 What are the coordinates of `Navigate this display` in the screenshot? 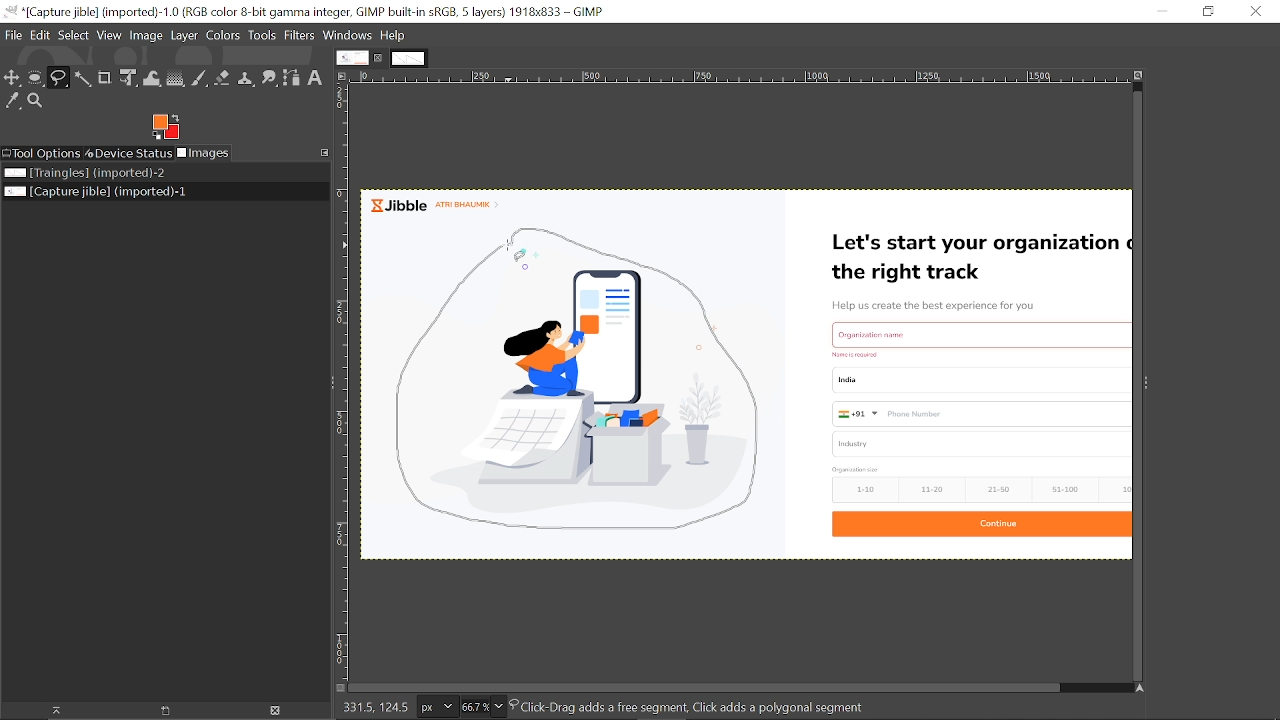 It's located at (1141, 688).